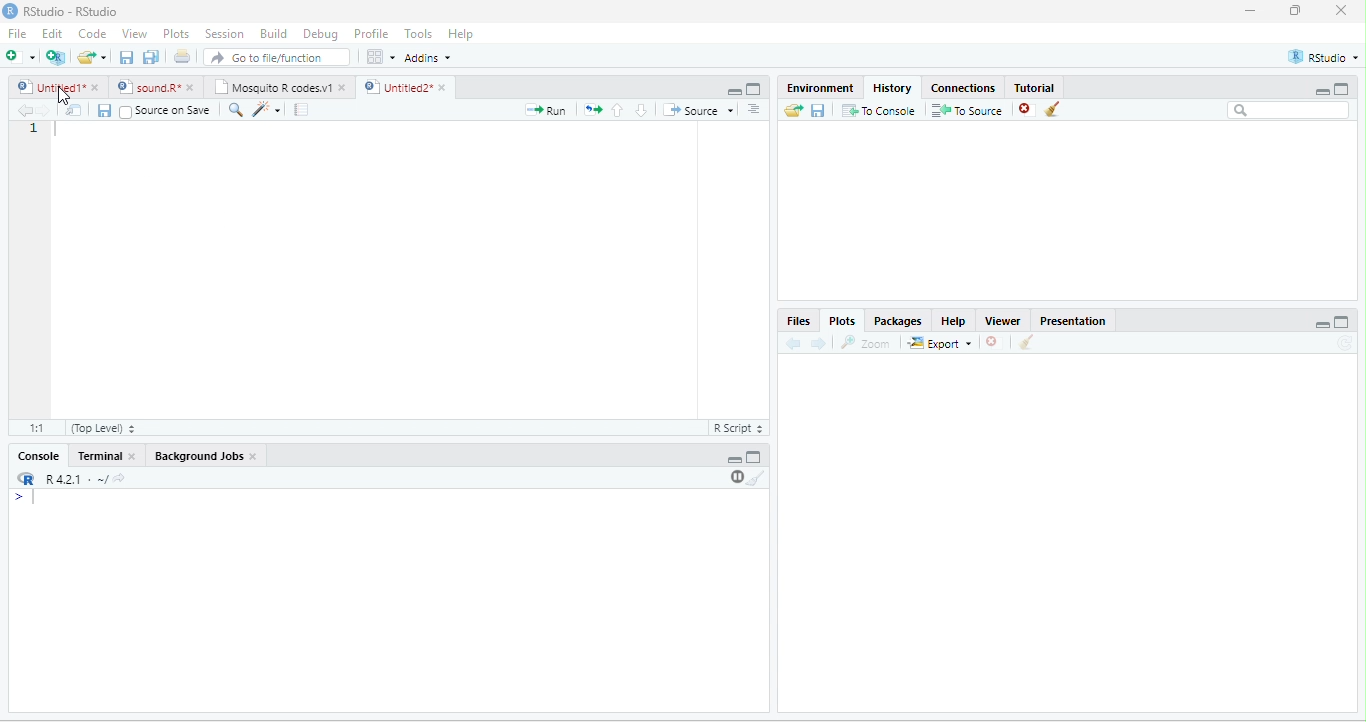  I want to click on maximize, so click(1342, 88).